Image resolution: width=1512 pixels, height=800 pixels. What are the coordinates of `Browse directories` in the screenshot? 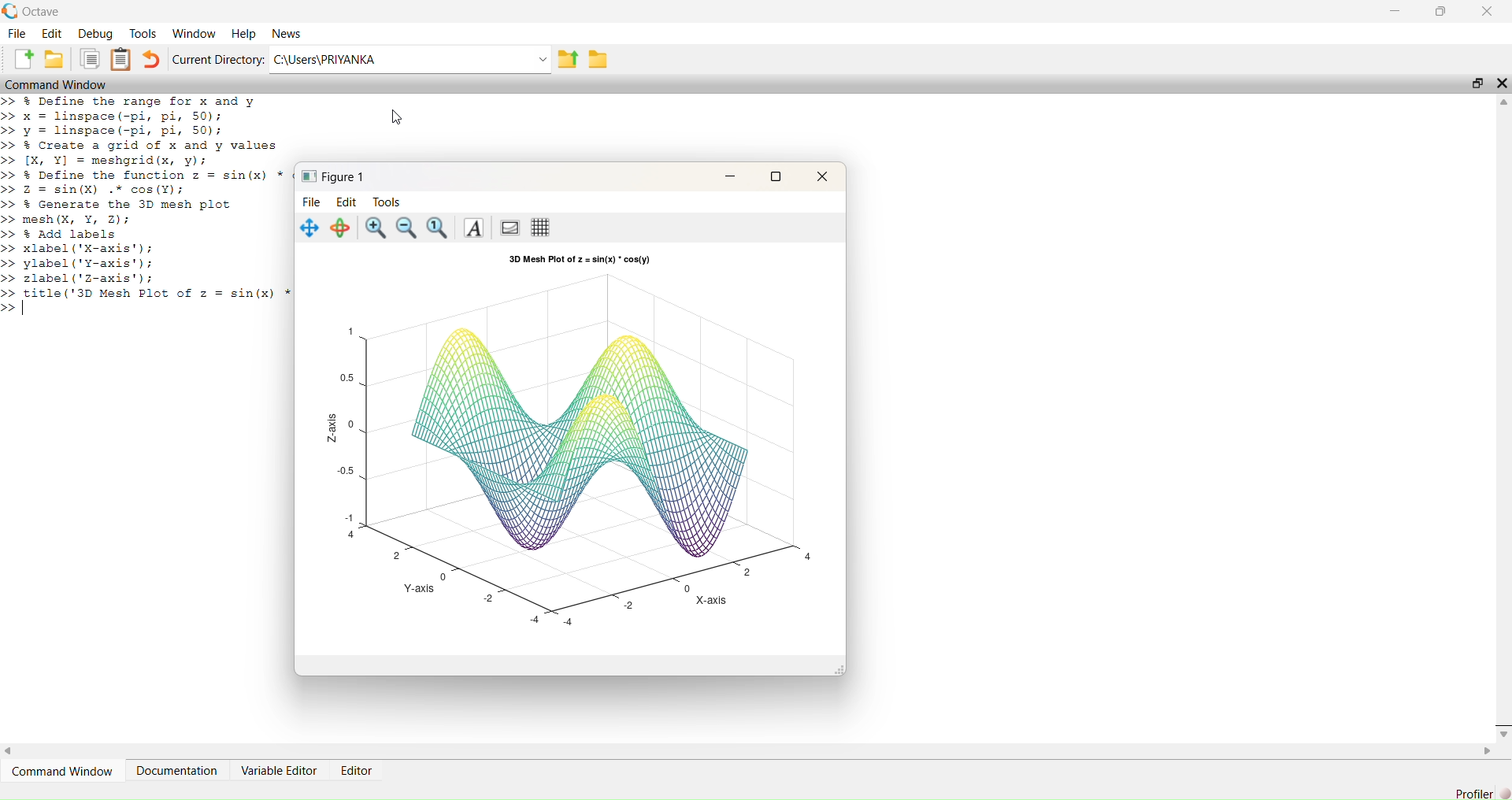 It's located at (596, 59).